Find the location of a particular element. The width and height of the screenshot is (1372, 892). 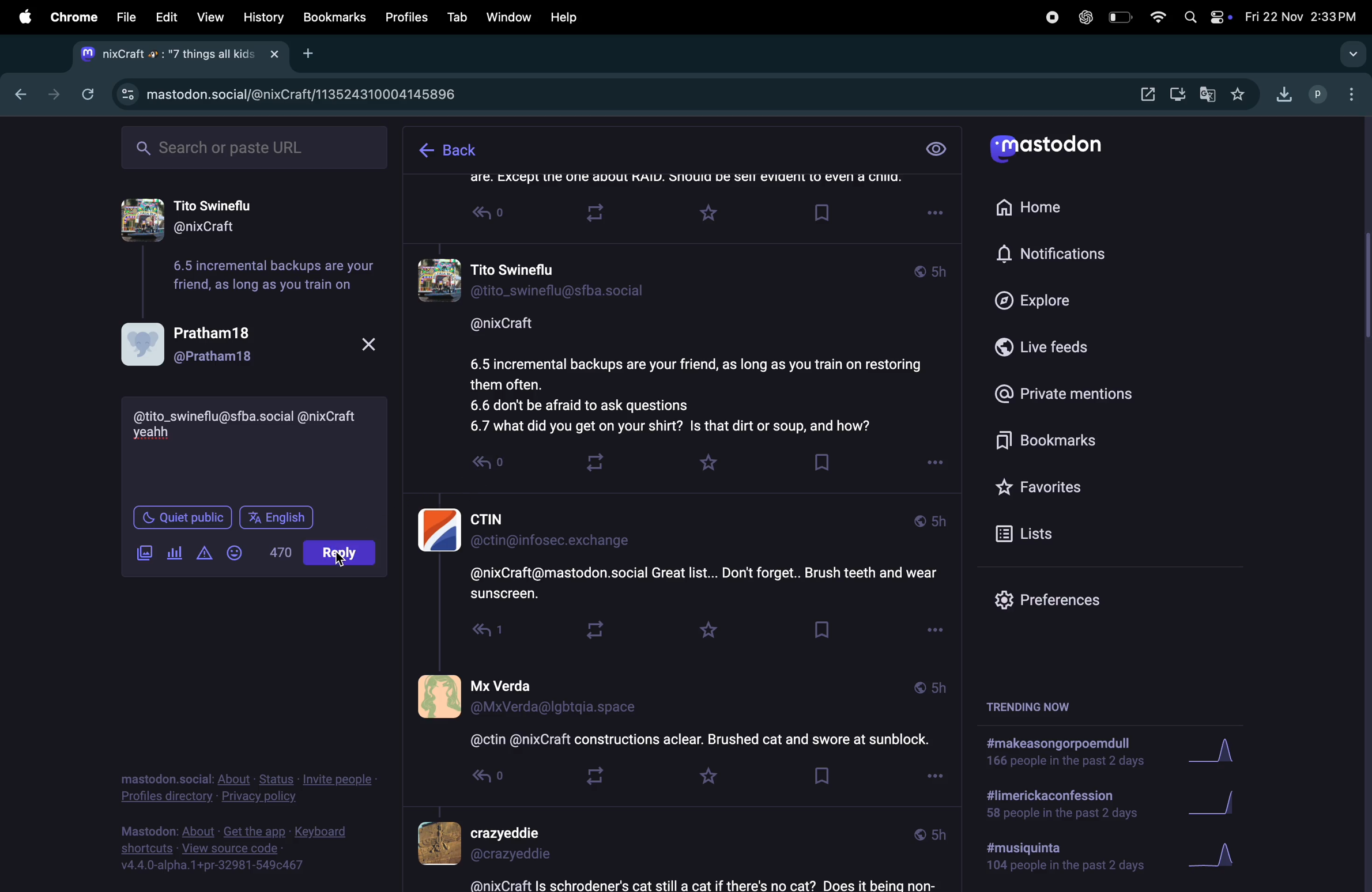

wifi is located at coordinates (1156, 18).